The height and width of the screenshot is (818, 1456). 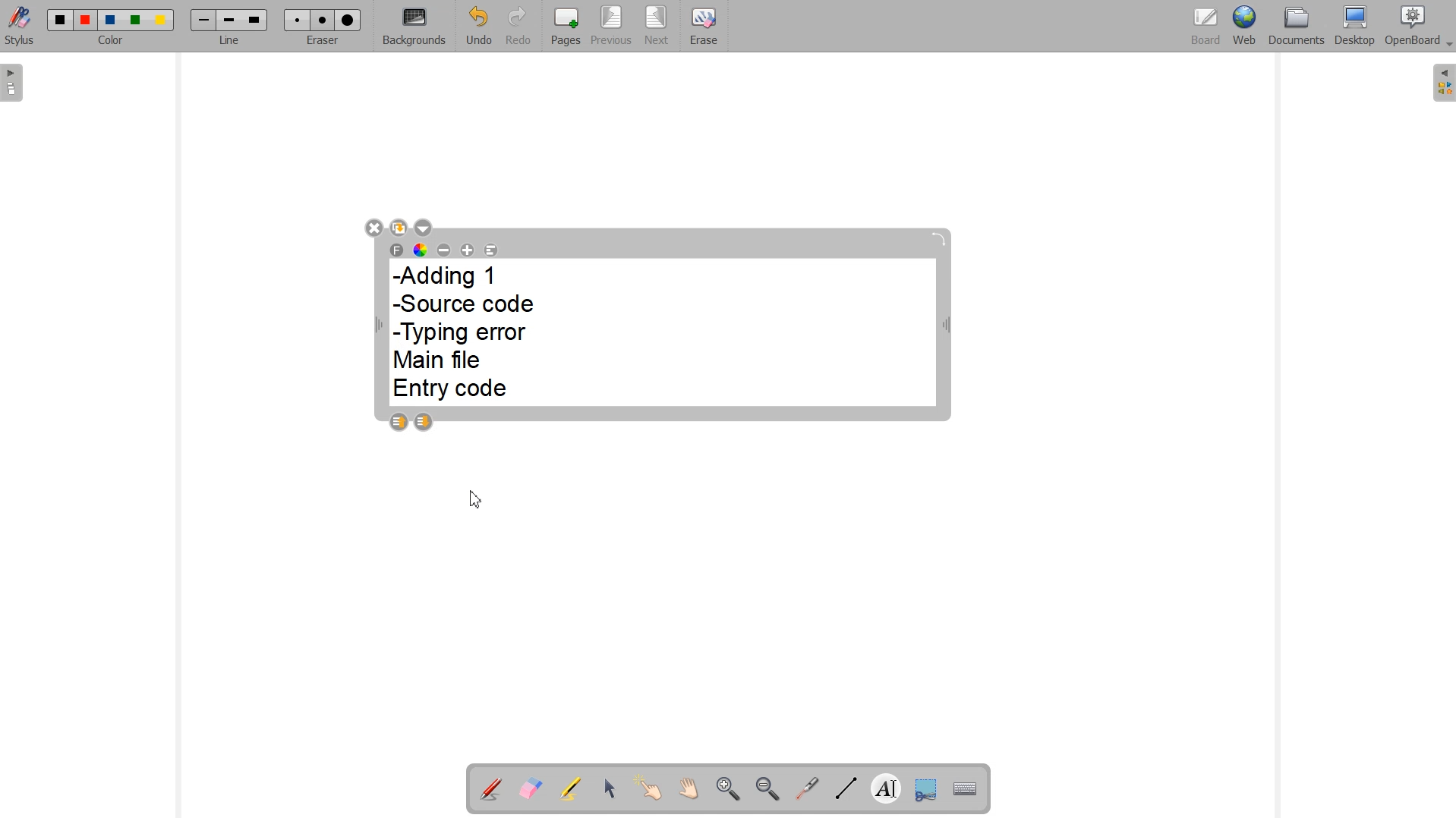 I want to click on Redo, so click(x=516, y=25).